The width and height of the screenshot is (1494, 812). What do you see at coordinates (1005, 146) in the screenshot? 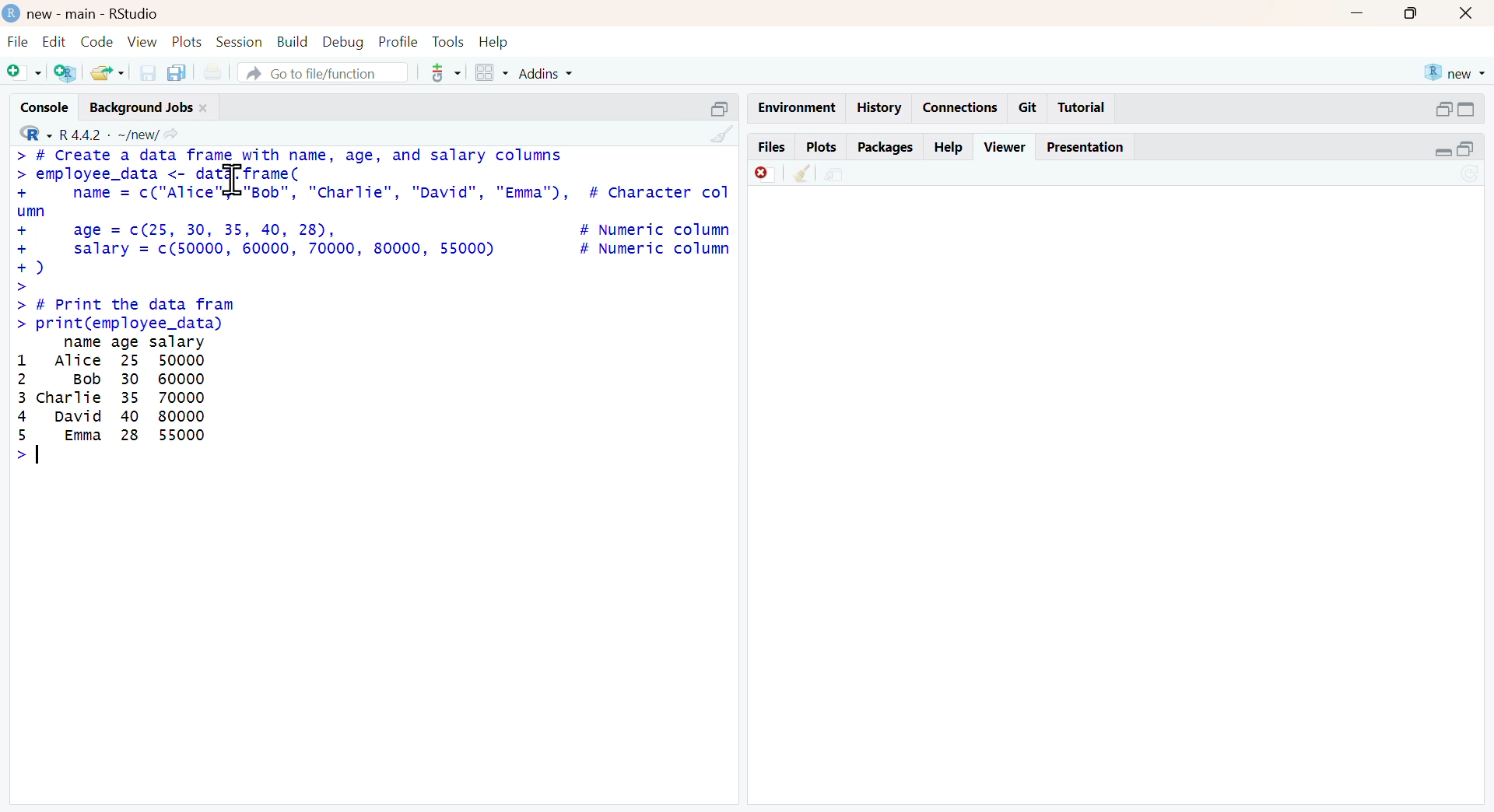
I see `Viewer` at bounding box center [1005, 146].